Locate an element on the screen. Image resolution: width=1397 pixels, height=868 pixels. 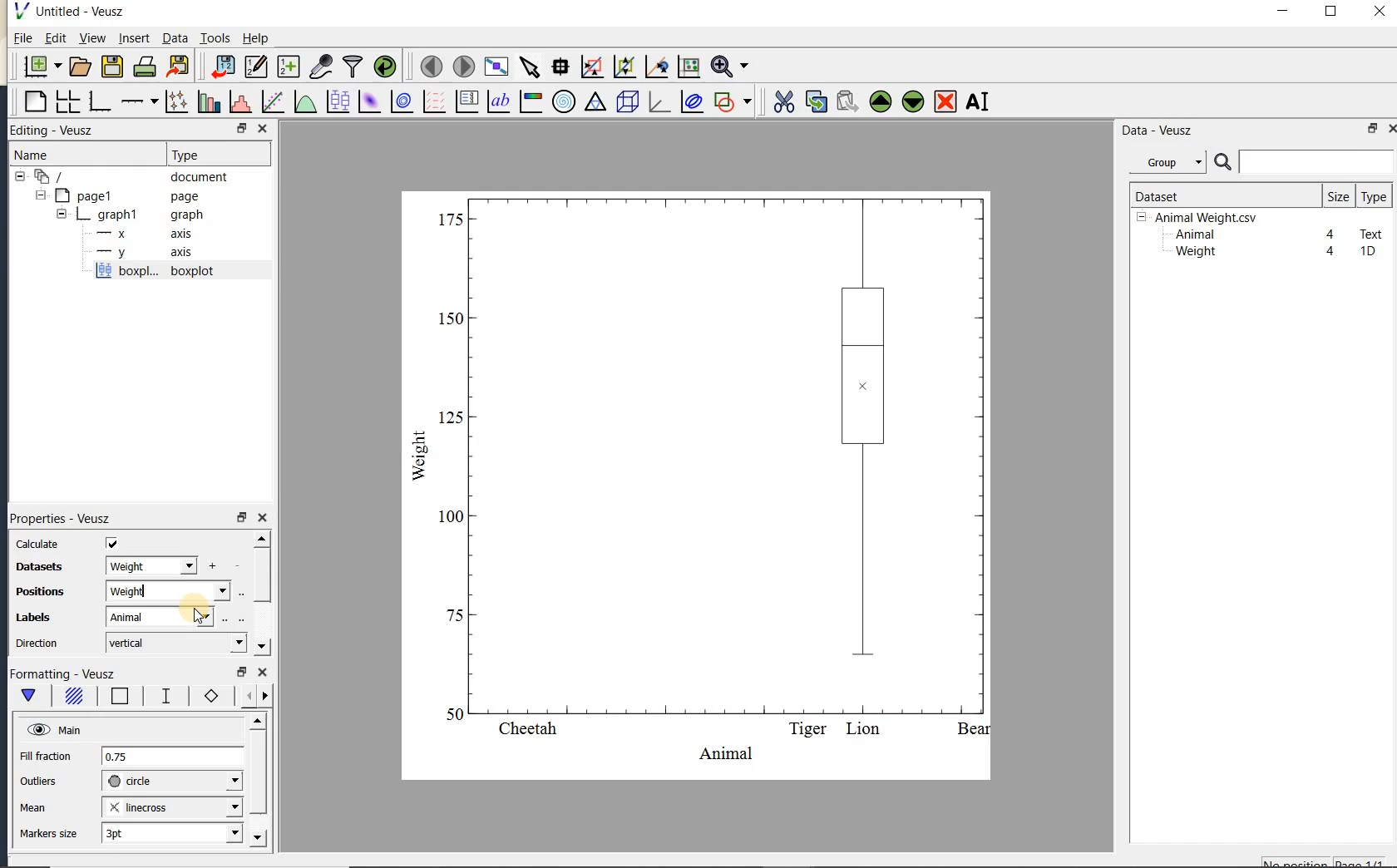
1D is located at coordinates (1367, 251).